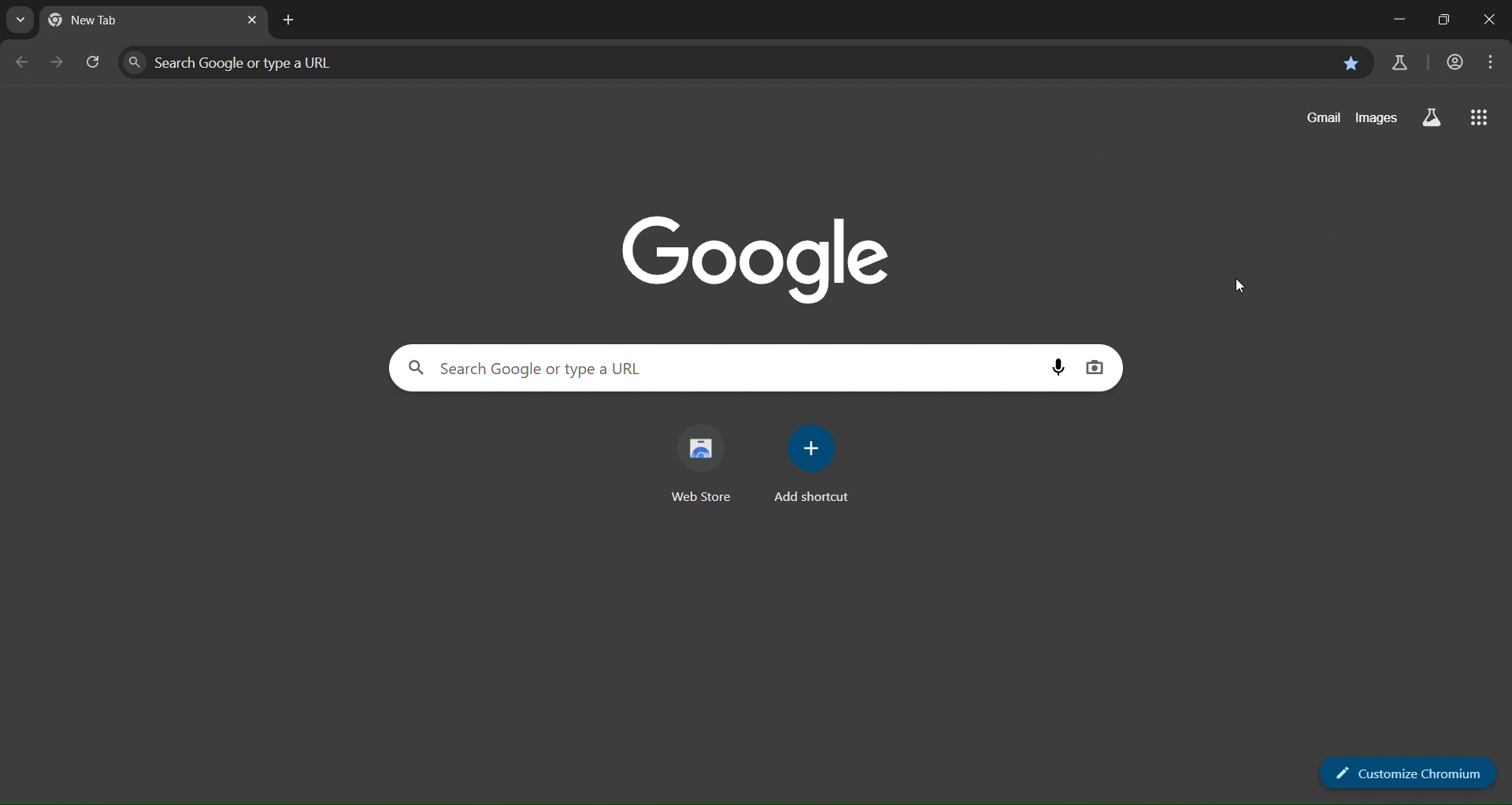  Describe the element at coordinates (760, 254) in the screenshot. I see `google` at that location.